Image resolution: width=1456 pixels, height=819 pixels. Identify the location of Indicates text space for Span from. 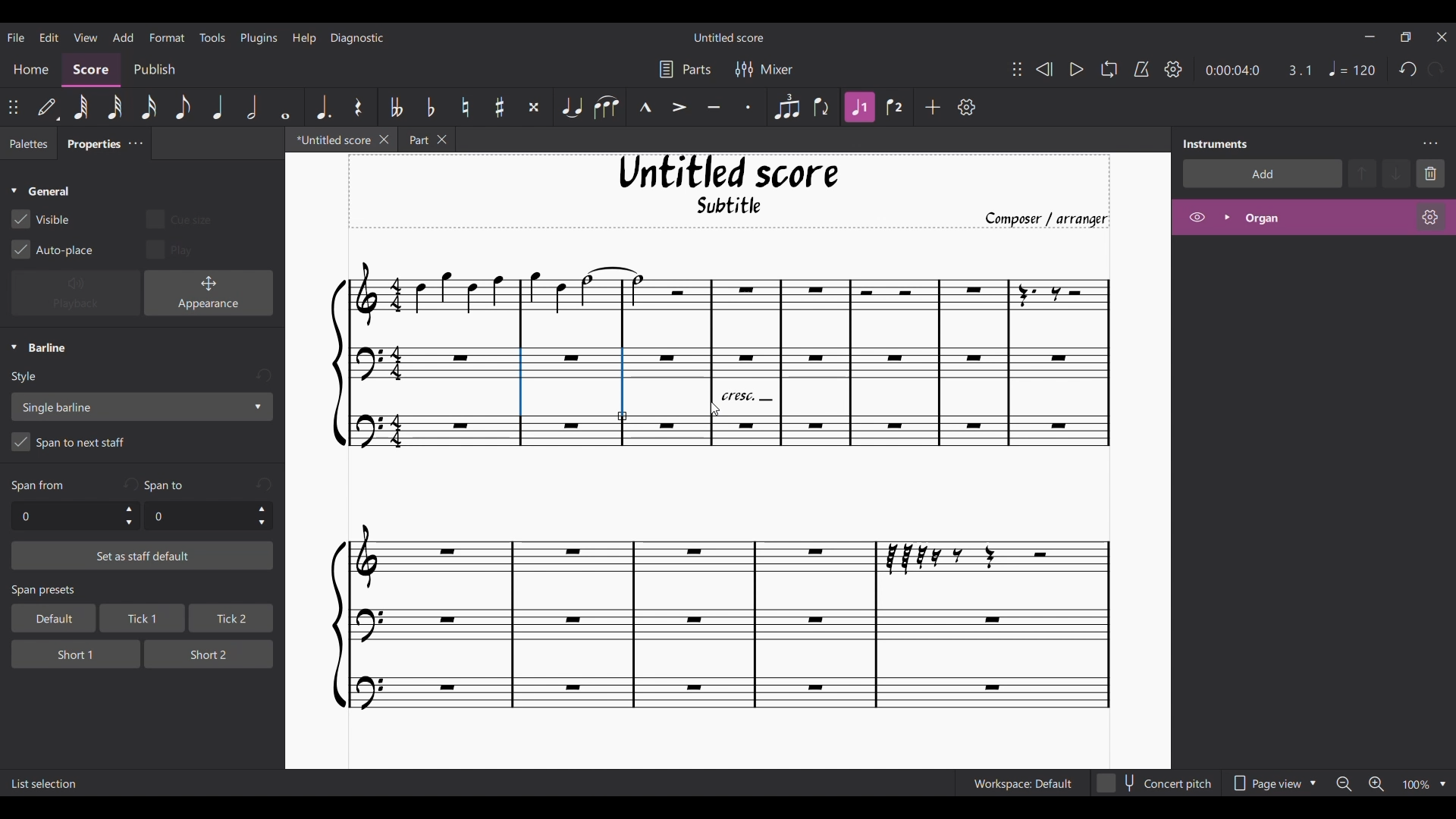
(38, 486).